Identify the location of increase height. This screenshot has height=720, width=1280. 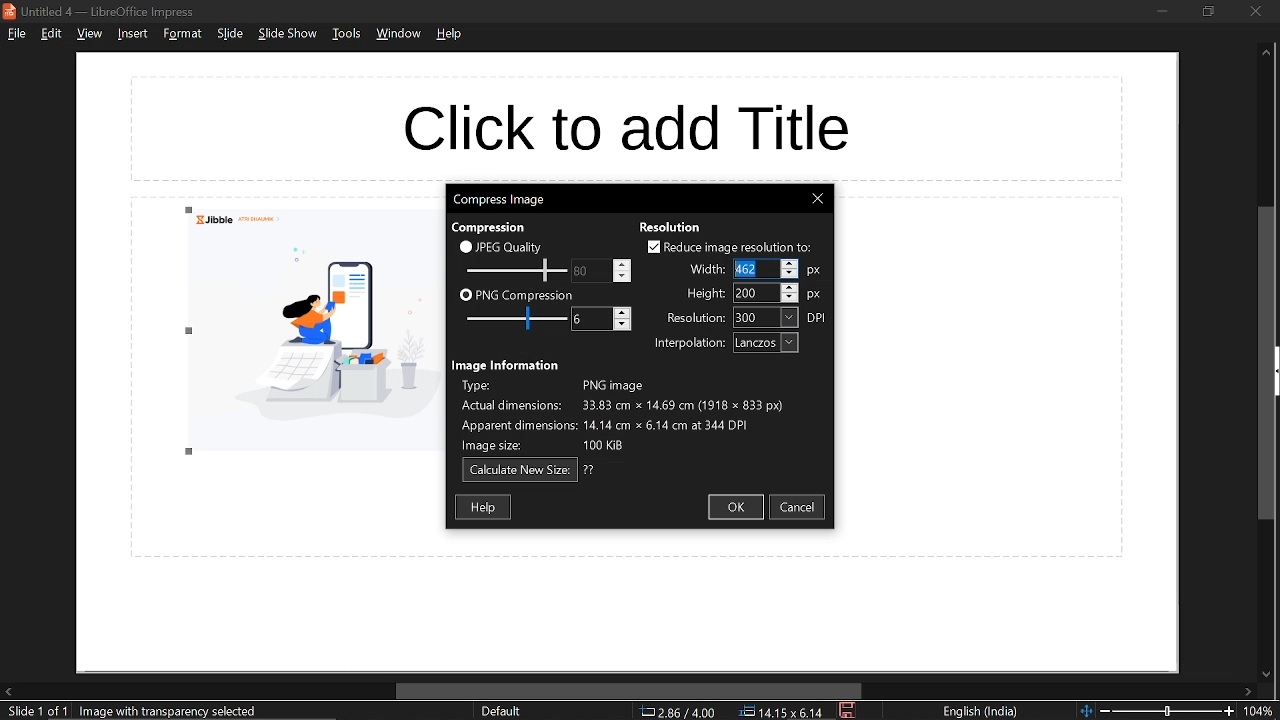
(789, 286).